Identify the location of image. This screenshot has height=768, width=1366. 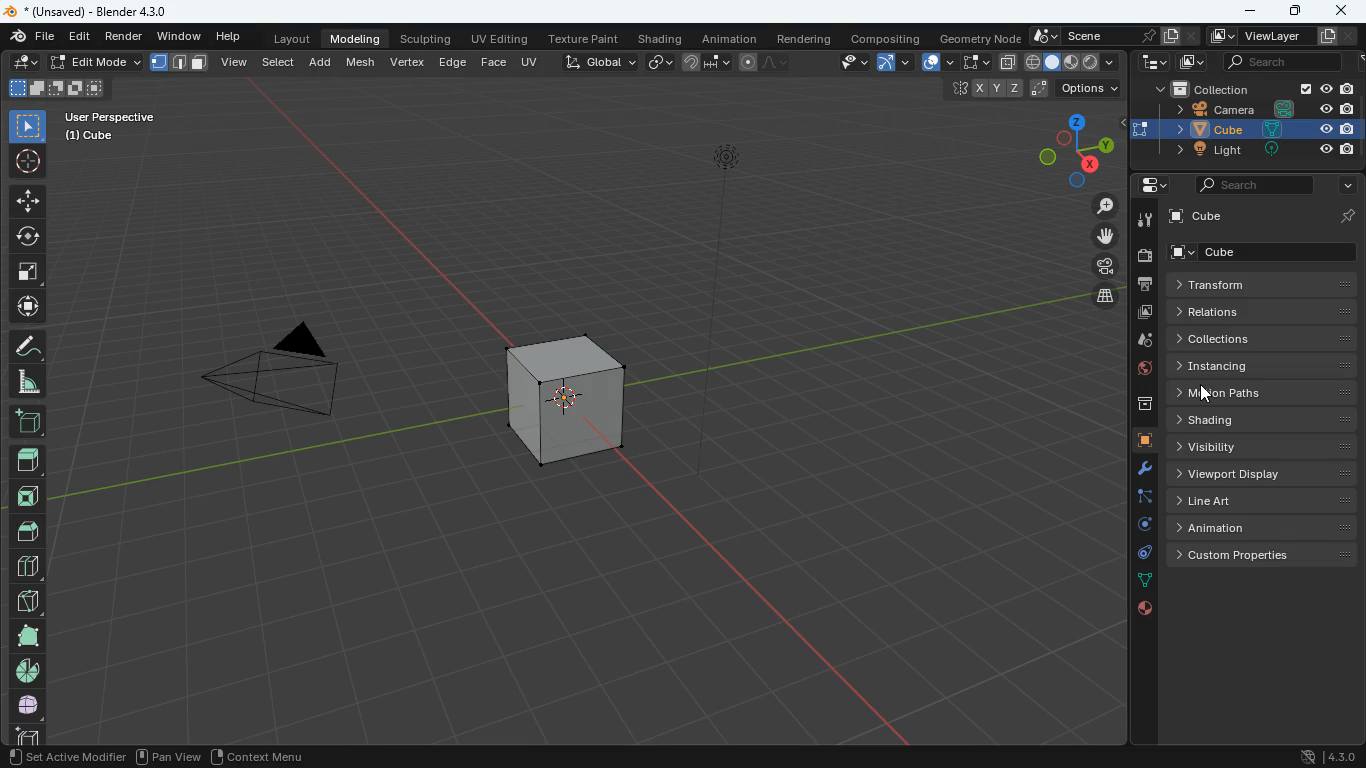
(1142, 313).